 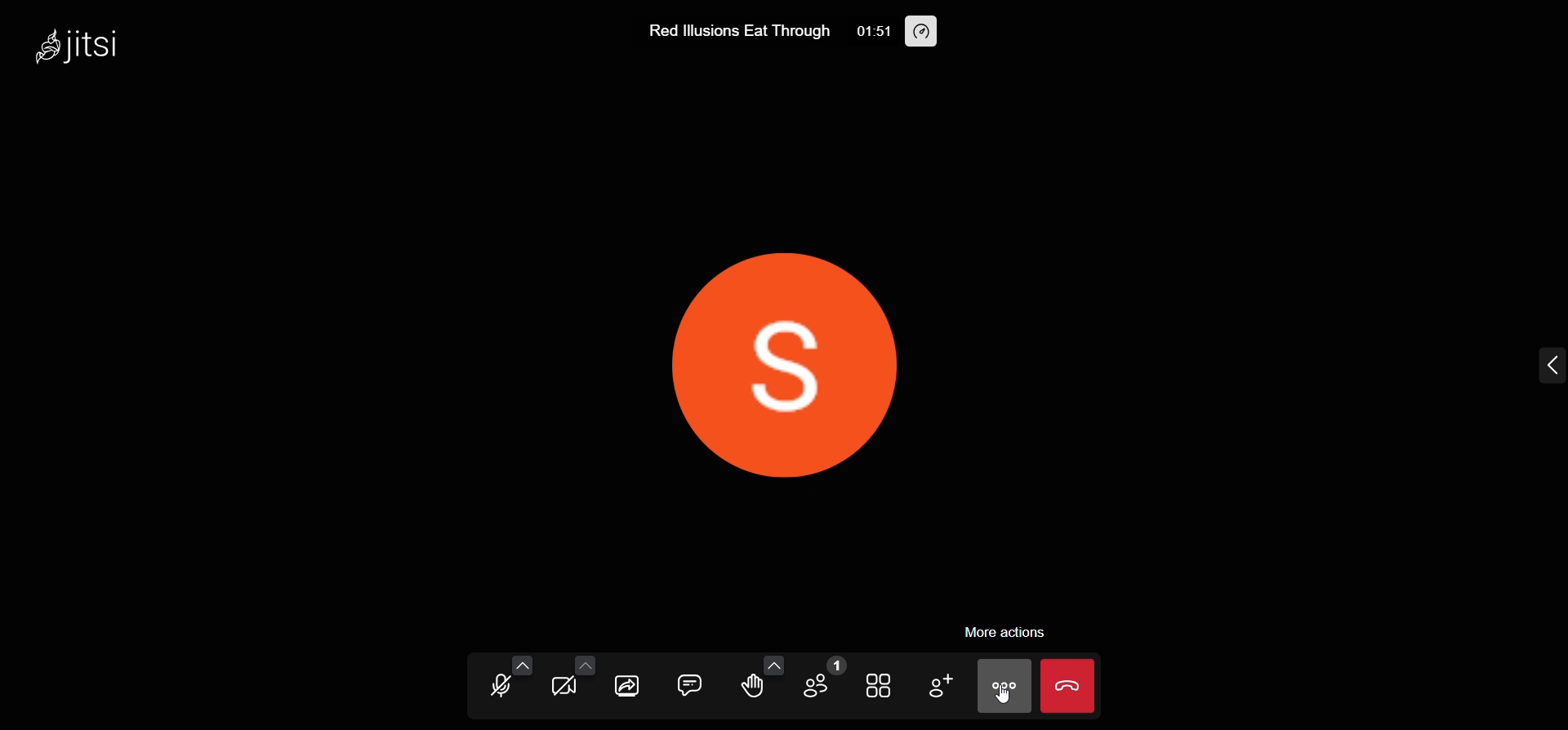 What do you see at coordinates (1069, 686) in the screenshot?
I see `end call` at bounding box center [1069, 686].